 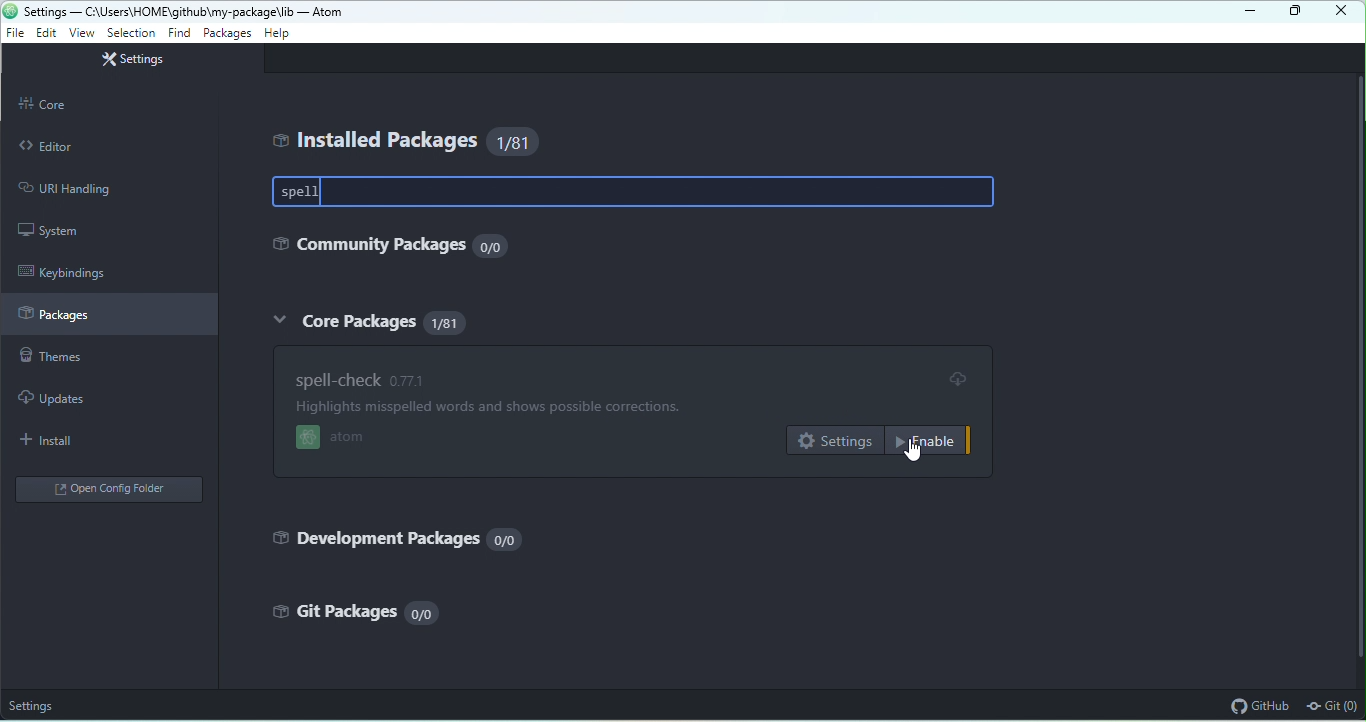 What do you see at coordinates (324, 191) in the screenshot?
I see `type cursor` at bounding box center [324, 191].